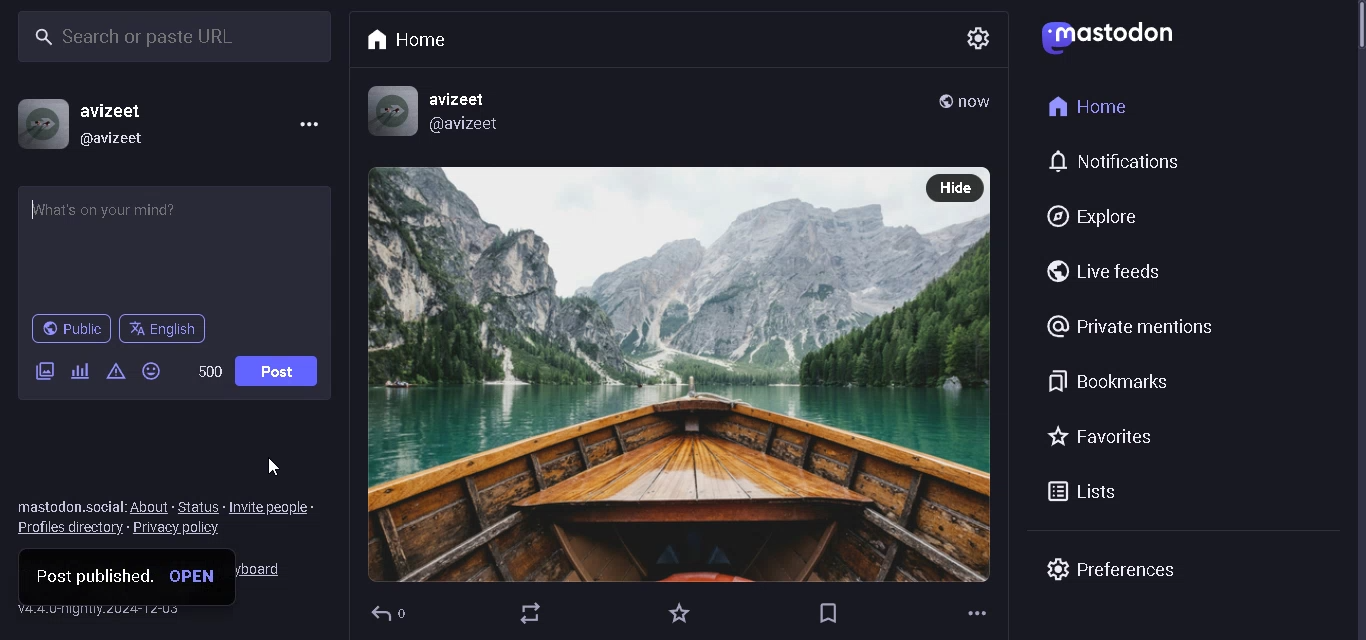 This screenshot has width=1366, height=640. What do you see at coordinates (435, 111) in the screenshot?
I see `profile information` at bounding box center [435, 111].